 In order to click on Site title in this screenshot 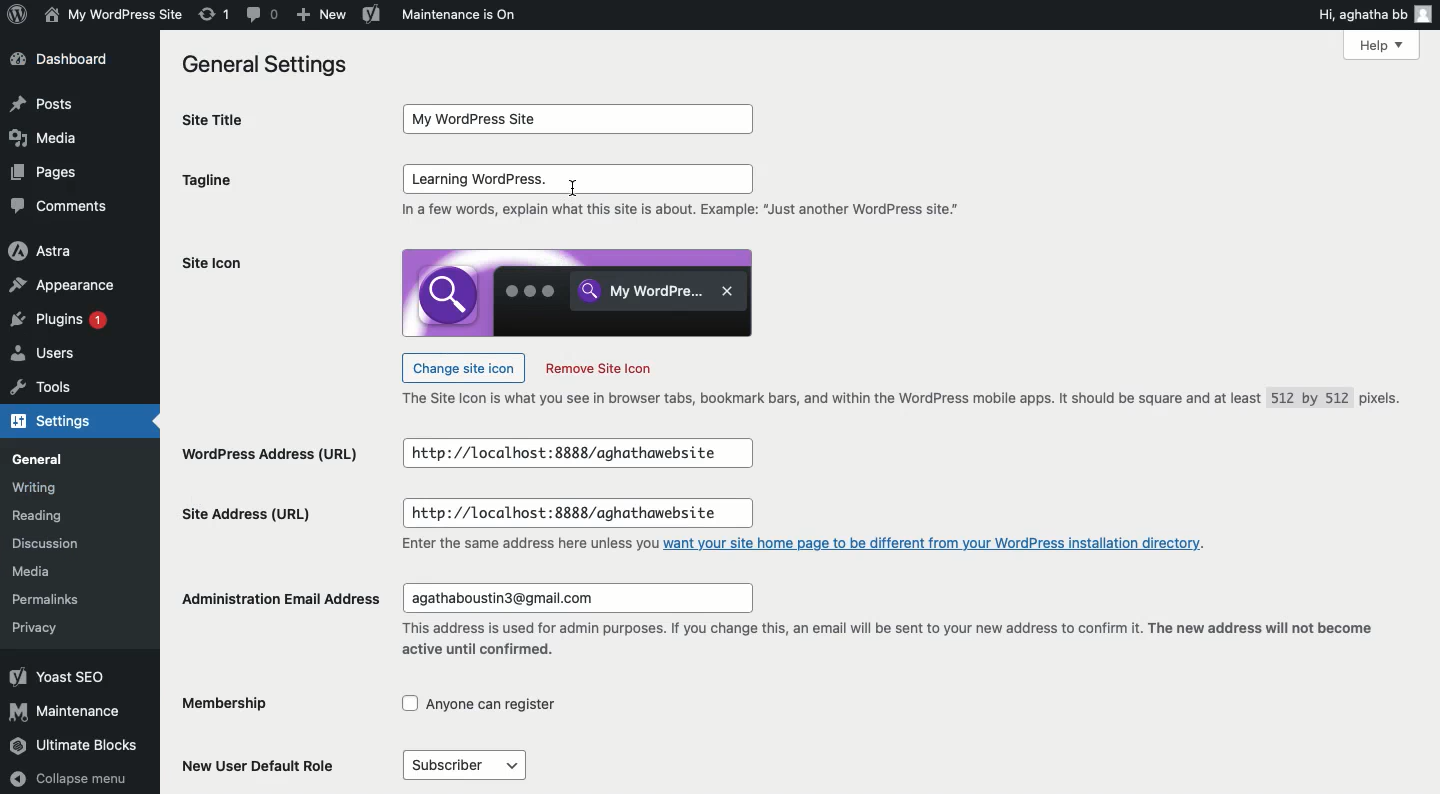, I will do `click(220, 119)`.